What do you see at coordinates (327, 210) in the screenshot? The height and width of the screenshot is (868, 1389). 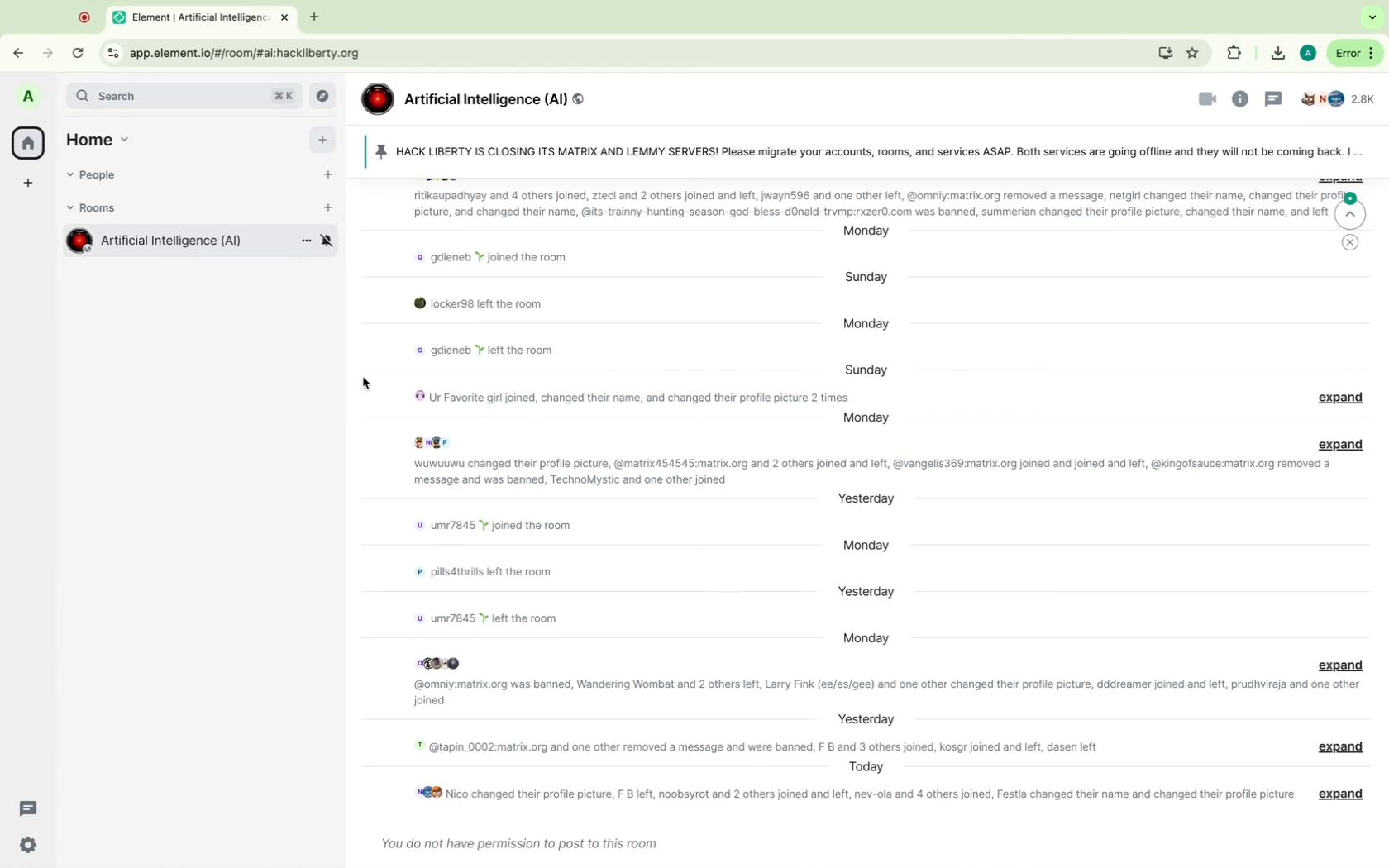 I see `add rooms` at bounding box center [327, 210].